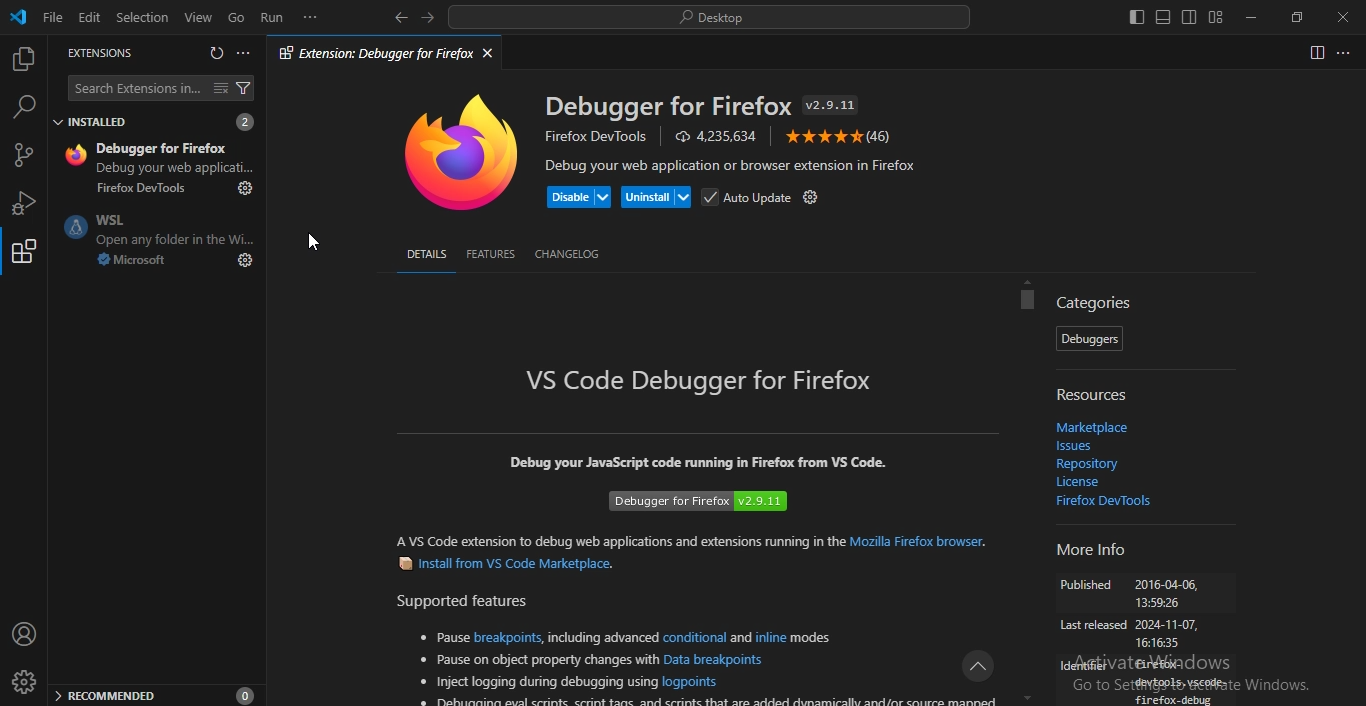  What do you see at coordinates (812, 197) in the screenshot?
I see `settings` at bounding box center [812, 197].